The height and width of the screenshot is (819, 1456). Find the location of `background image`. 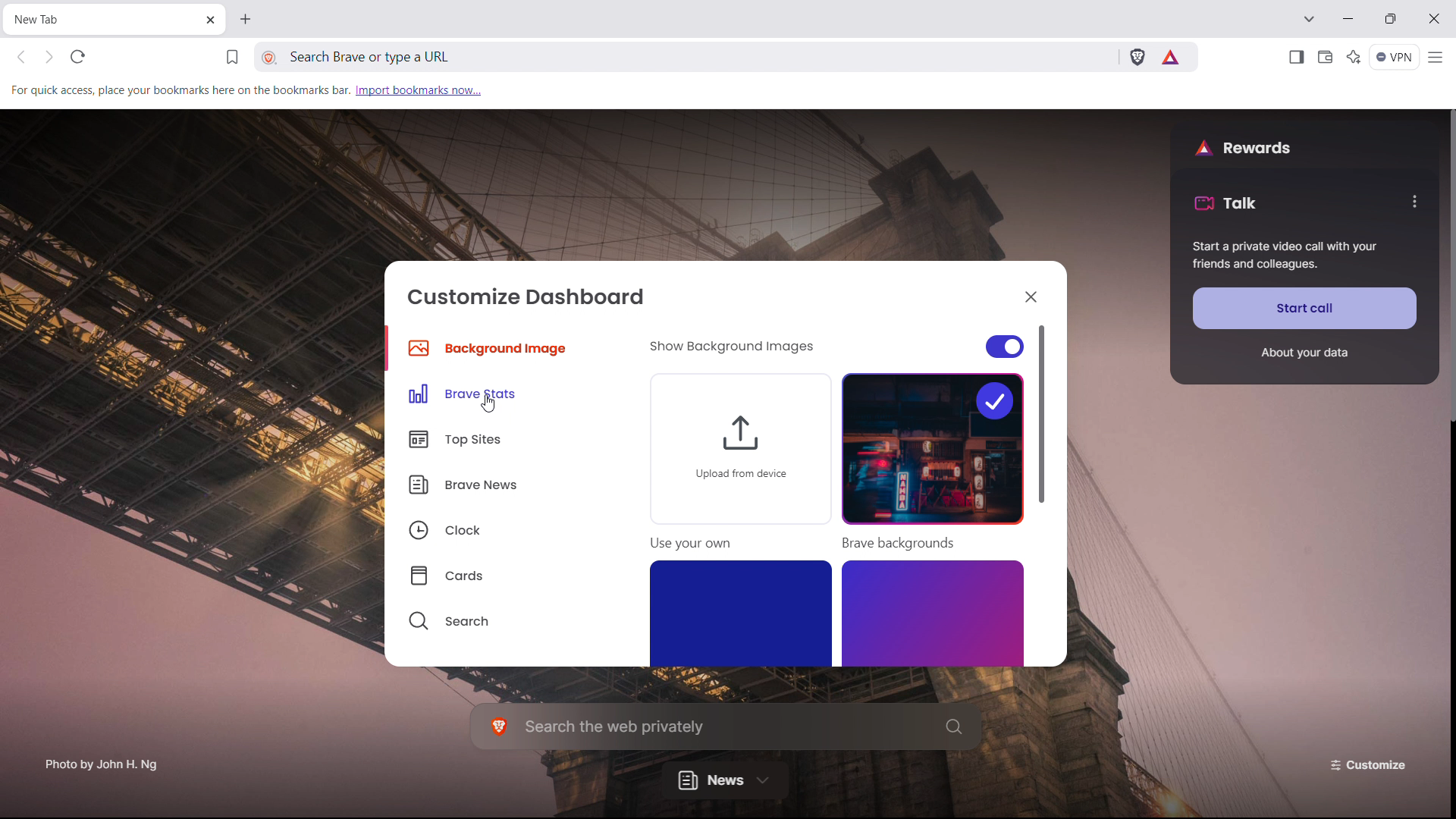

background image is located at coordinates (507, 349).